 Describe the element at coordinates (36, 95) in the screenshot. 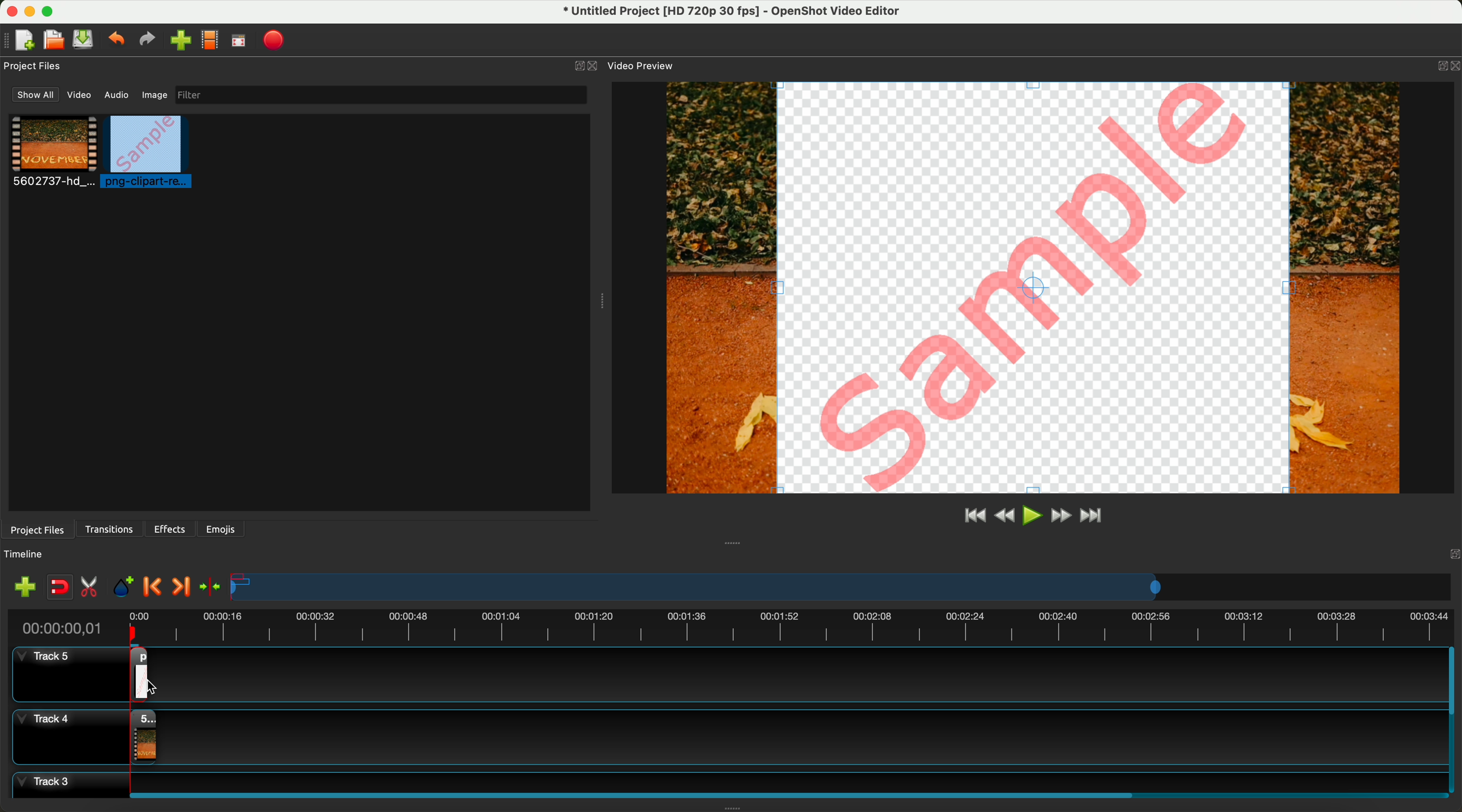

I see `show all` at that location.